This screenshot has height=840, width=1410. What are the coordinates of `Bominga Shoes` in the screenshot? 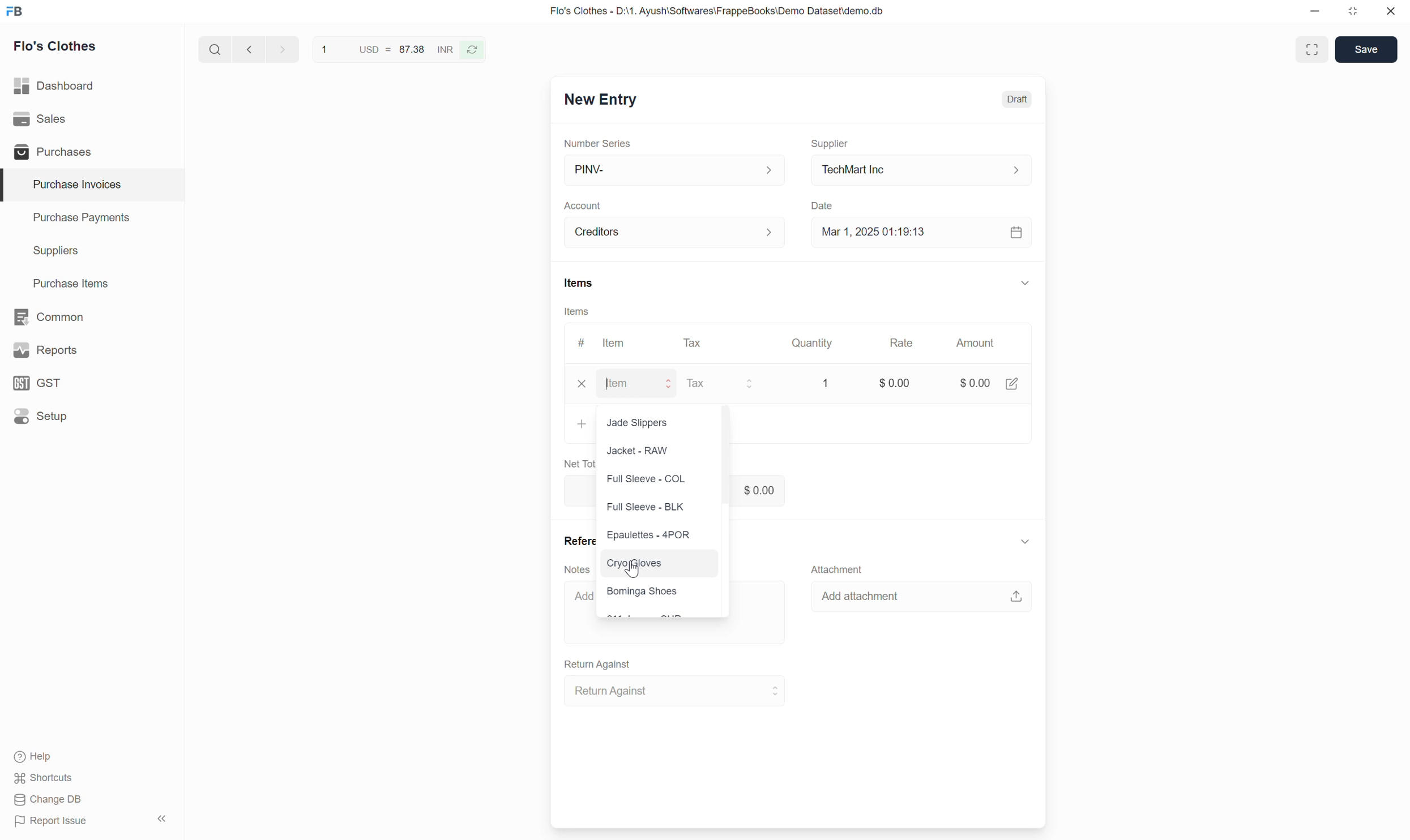 It's located at (642, 591).